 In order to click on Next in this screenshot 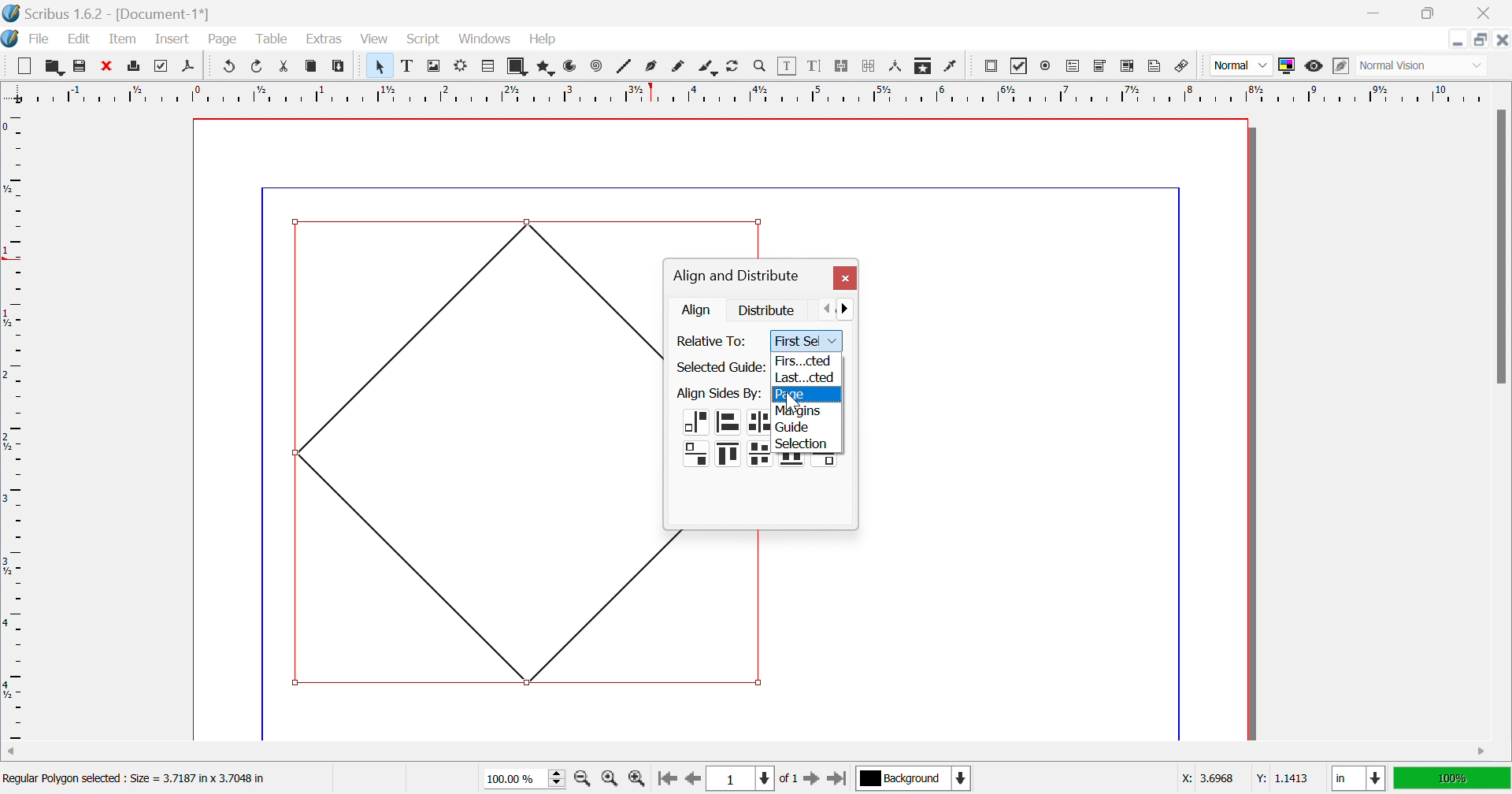, I will do `click(851, 307)`.